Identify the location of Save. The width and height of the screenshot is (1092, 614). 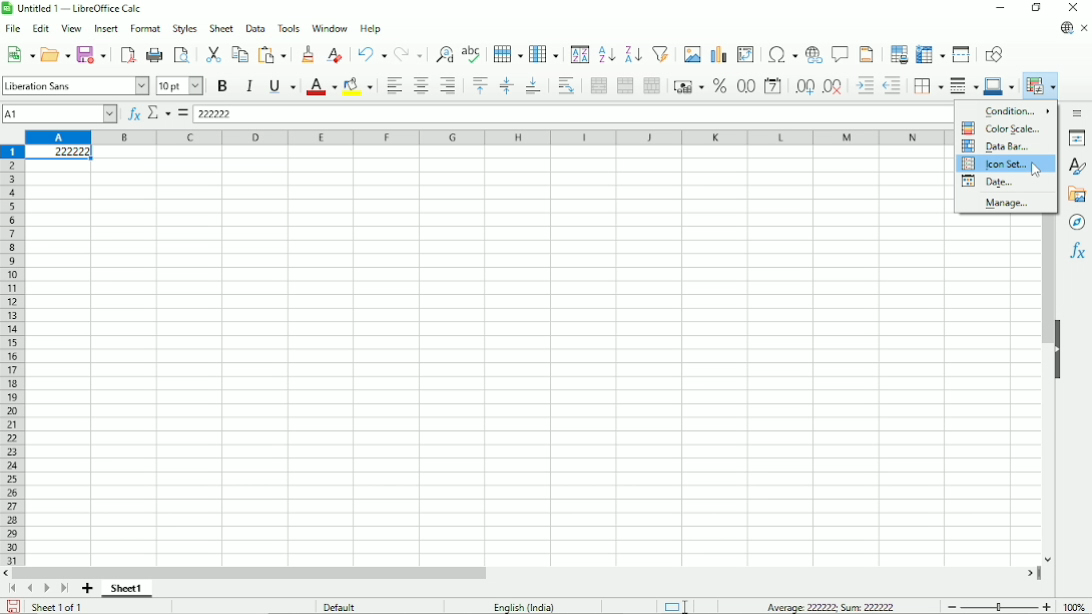
(13, 607).